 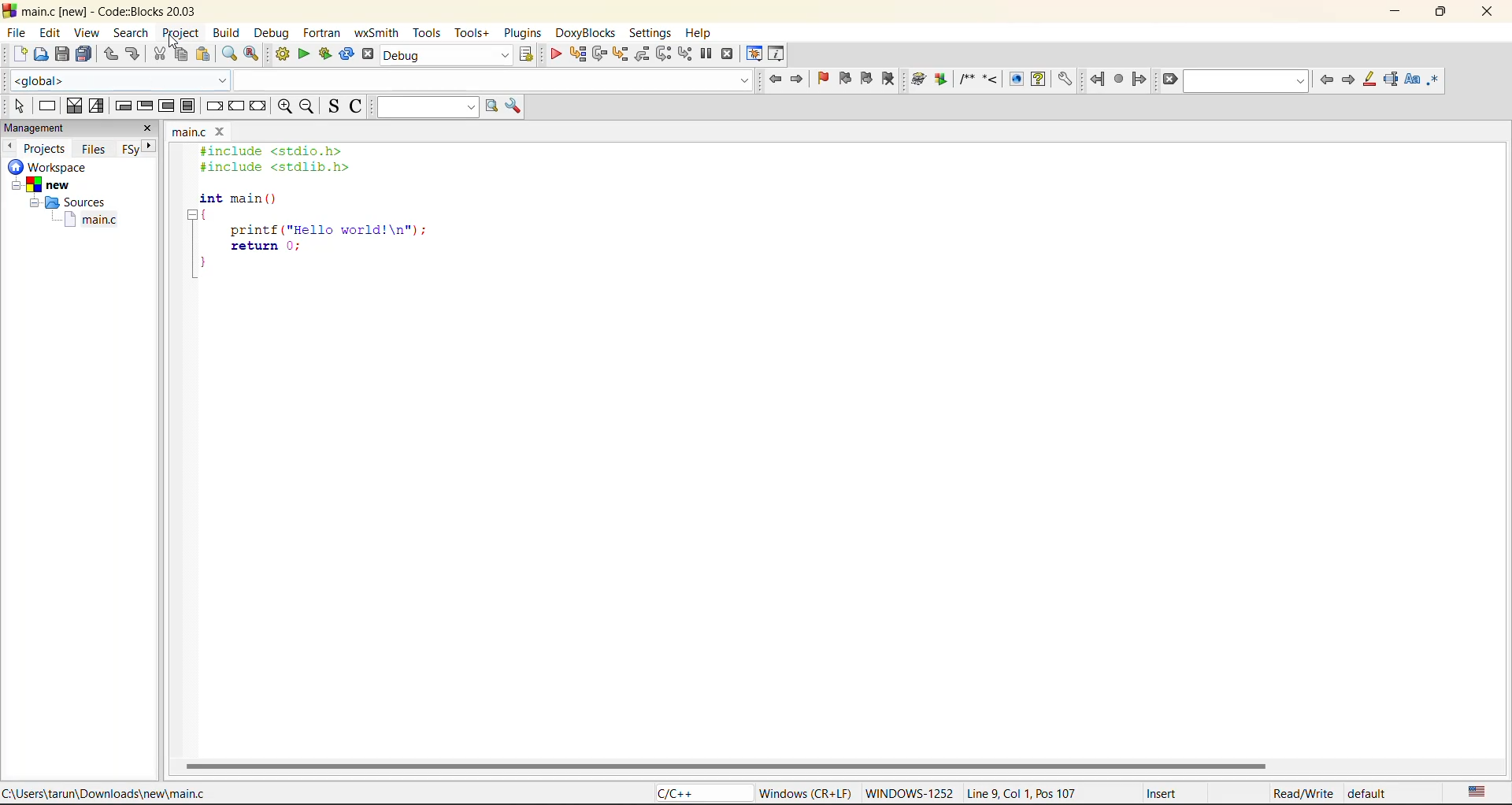 What do you see at coordinates (524, 33) in the screenshot?
I see `plugins` at bounding box center [524, 33].